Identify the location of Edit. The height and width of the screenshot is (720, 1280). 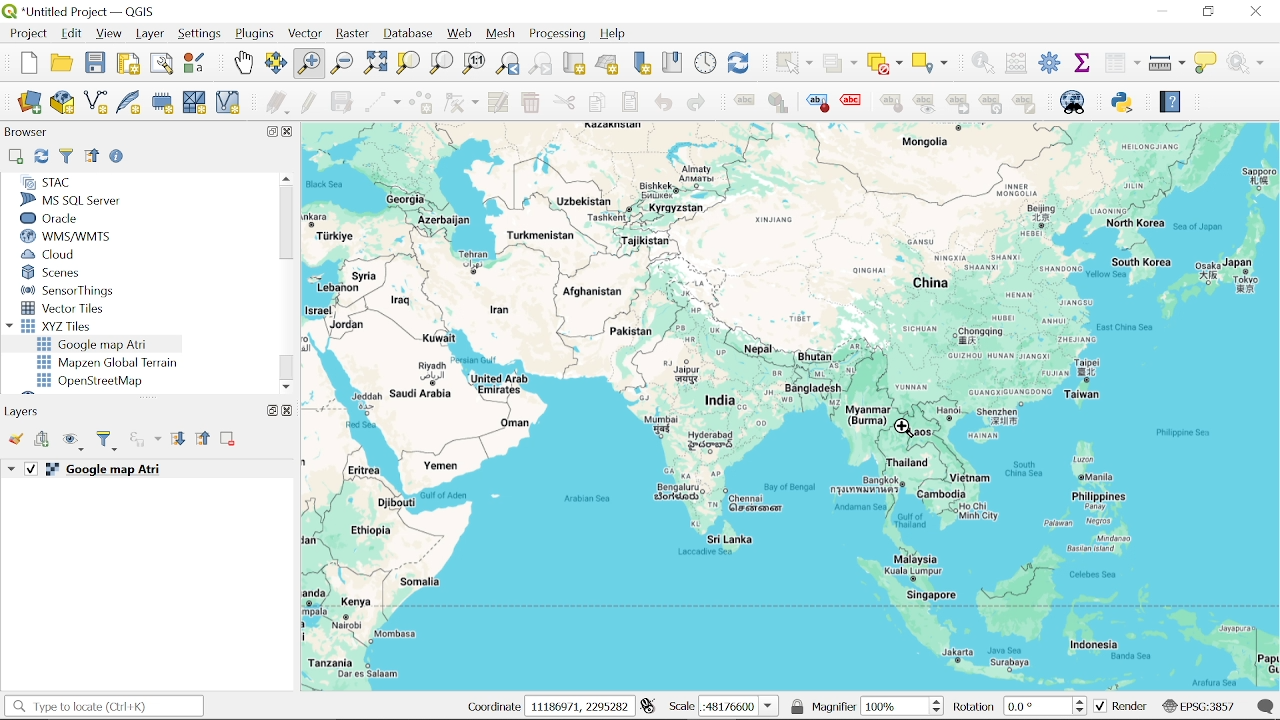
(72, 34).